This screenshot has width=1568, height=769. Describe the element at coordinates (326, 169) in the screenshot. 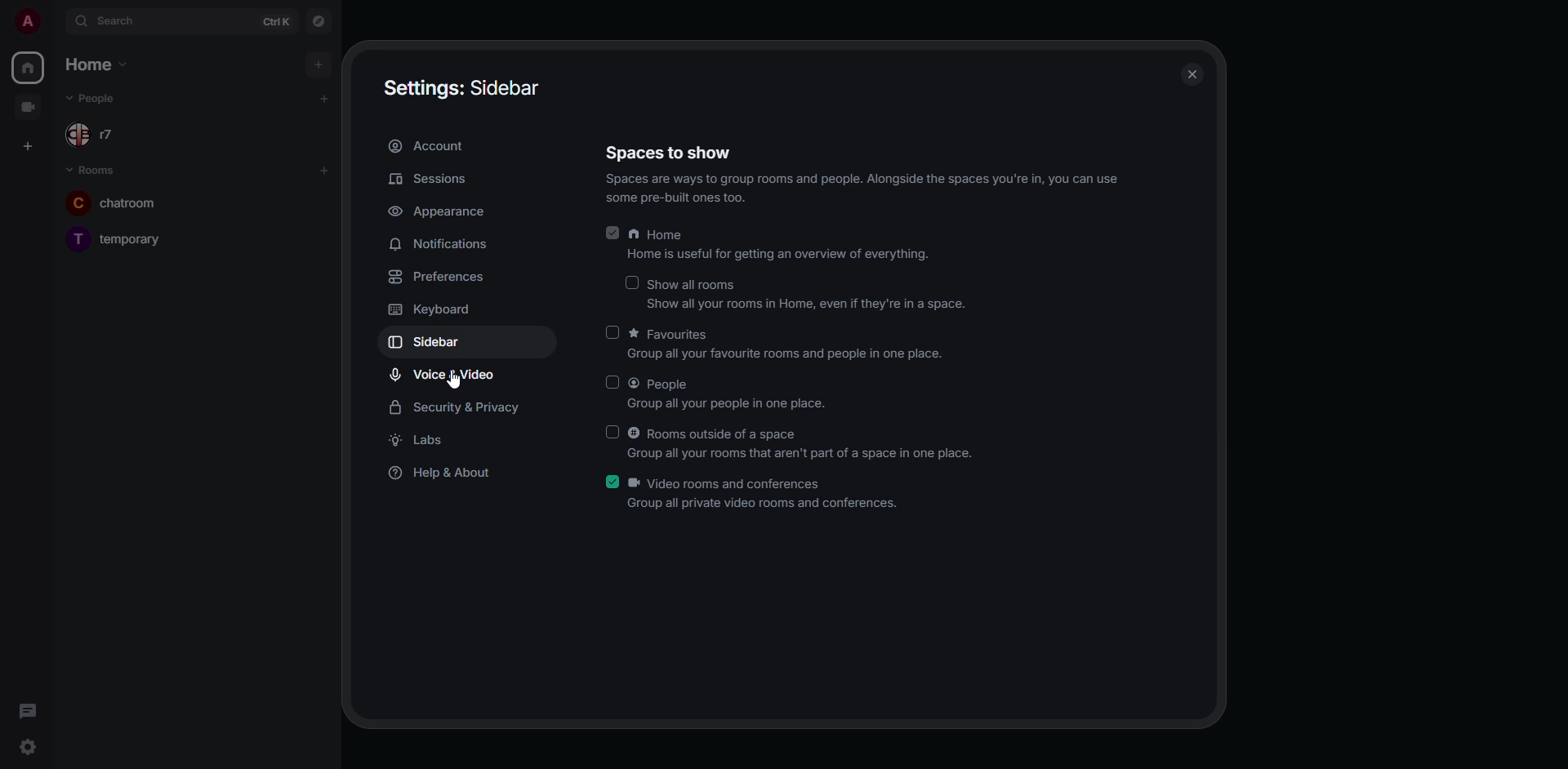

I see `add` at that location.